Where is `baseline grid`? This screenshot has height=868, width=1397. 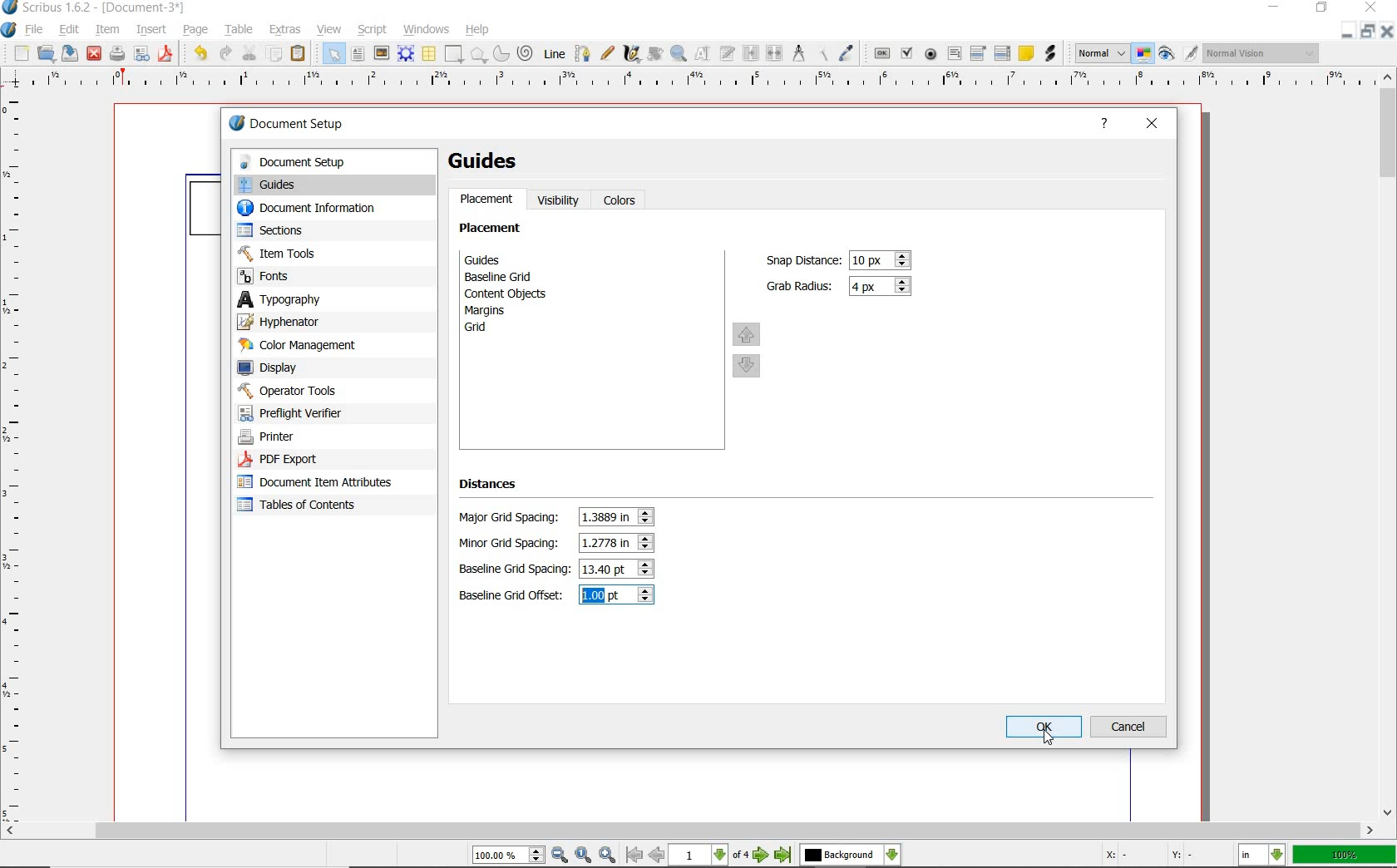
baseline grid is located at coordinates (503, 277).